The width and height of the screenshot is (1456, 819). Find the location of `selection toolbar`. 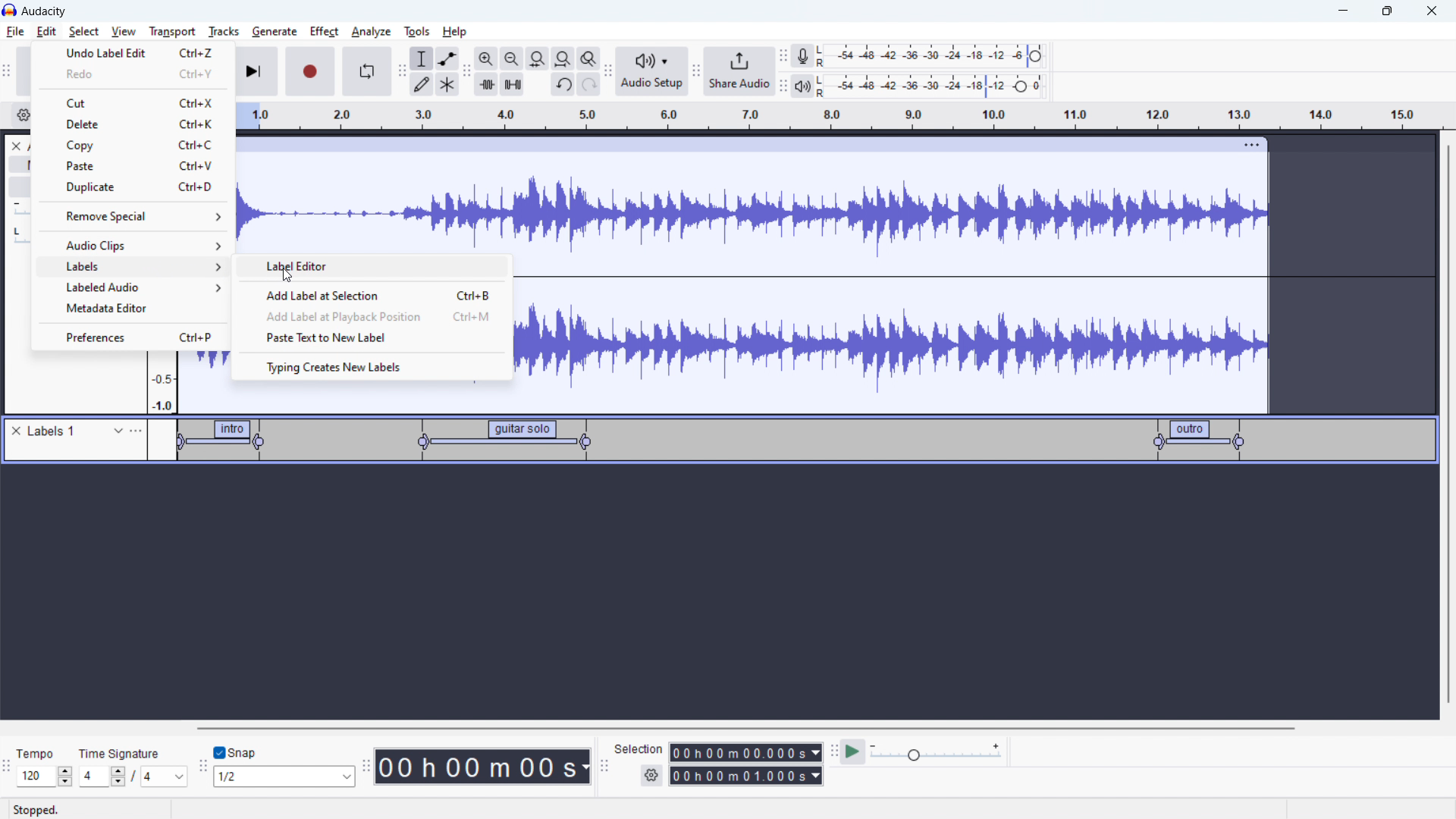

selection toolbar is located at coordinates (602, 767).